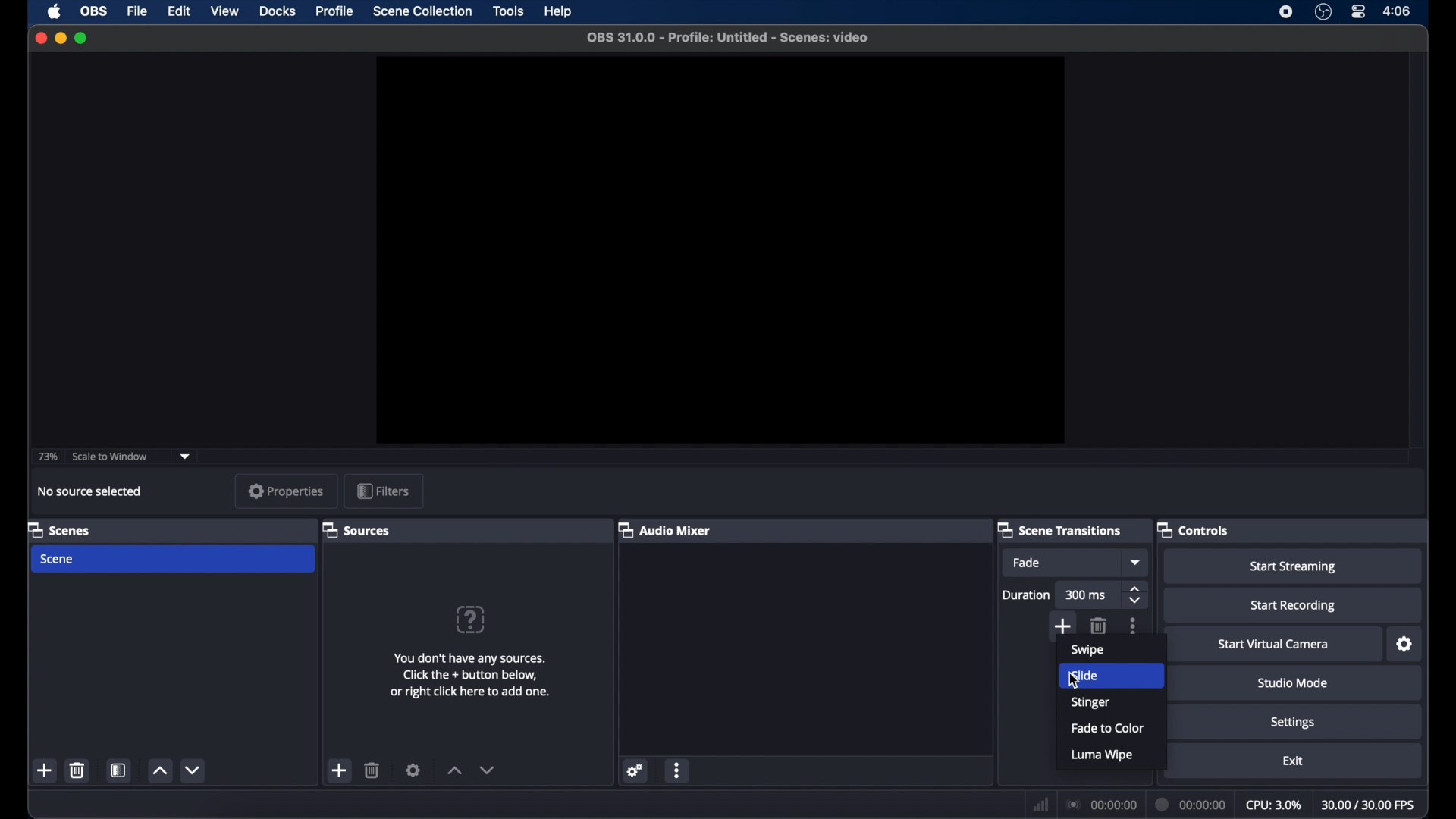  I want to click on scene, so click(58, 558).